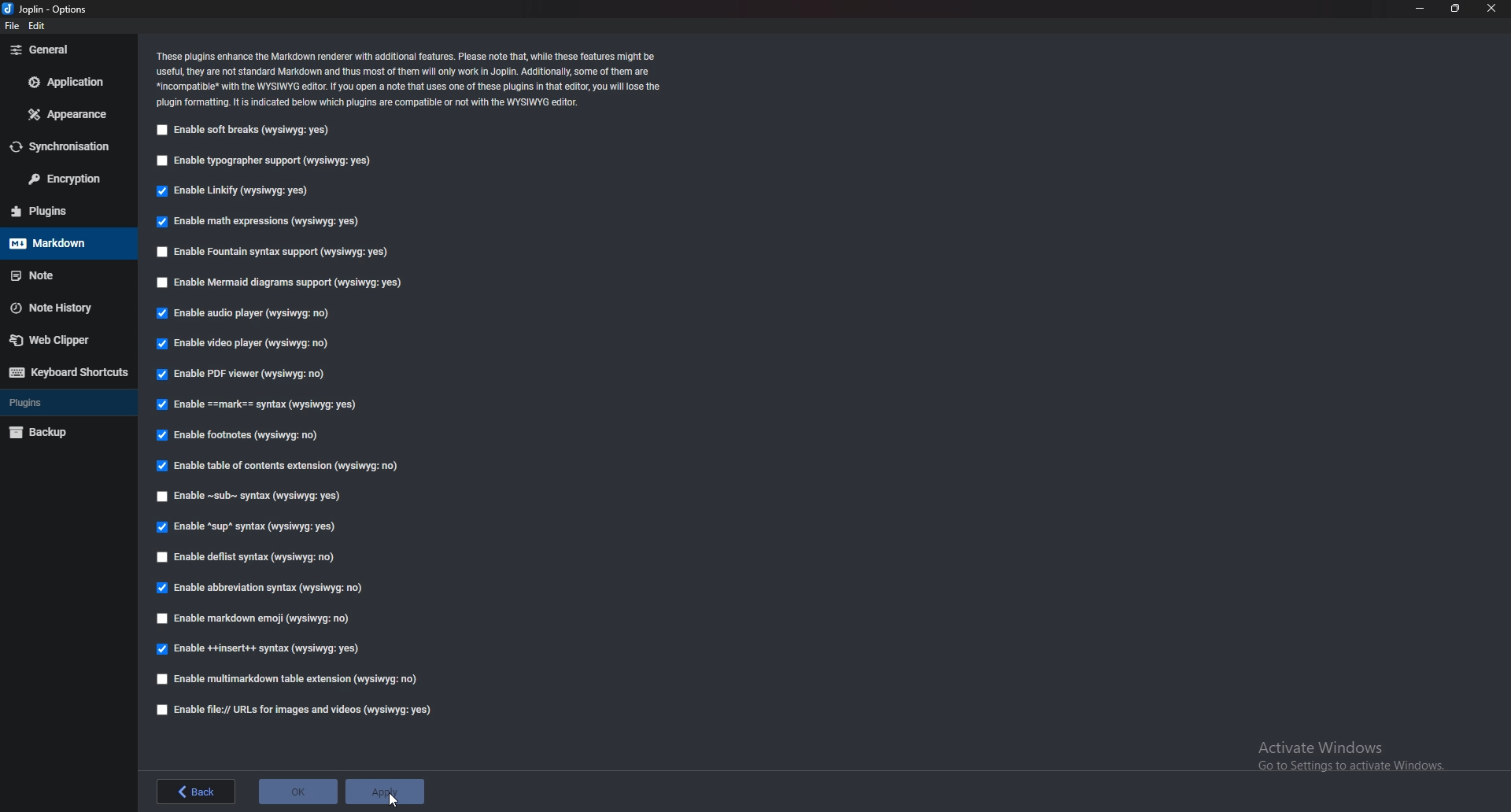 The width and height of the screenshot is (1511, 812). Describe the element at coordinates (1421, 7) in the screenshot. I see `minimize` at that location.